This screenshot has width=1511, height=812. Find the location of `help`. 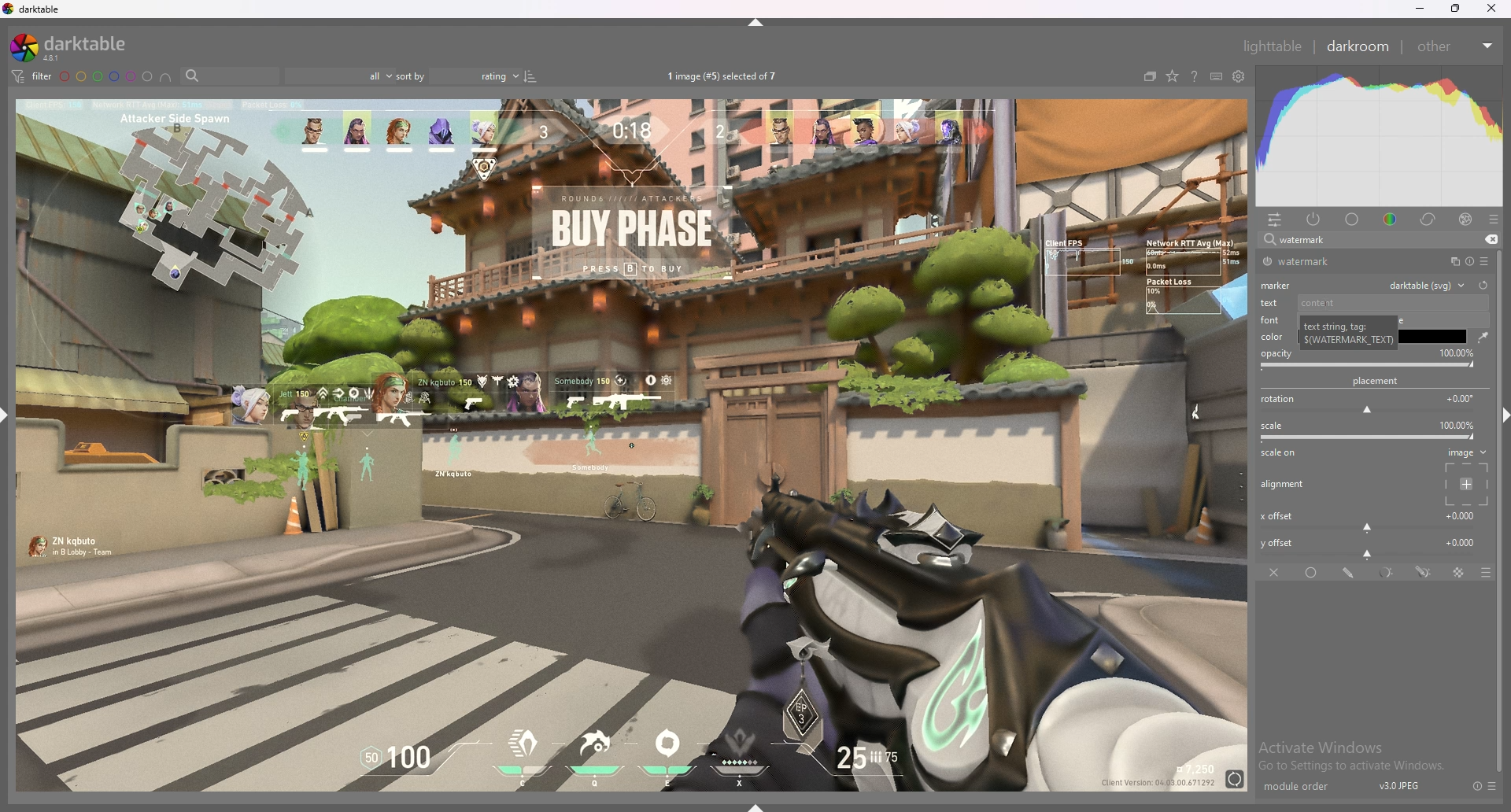

help is located at coordinates (1194, 78).